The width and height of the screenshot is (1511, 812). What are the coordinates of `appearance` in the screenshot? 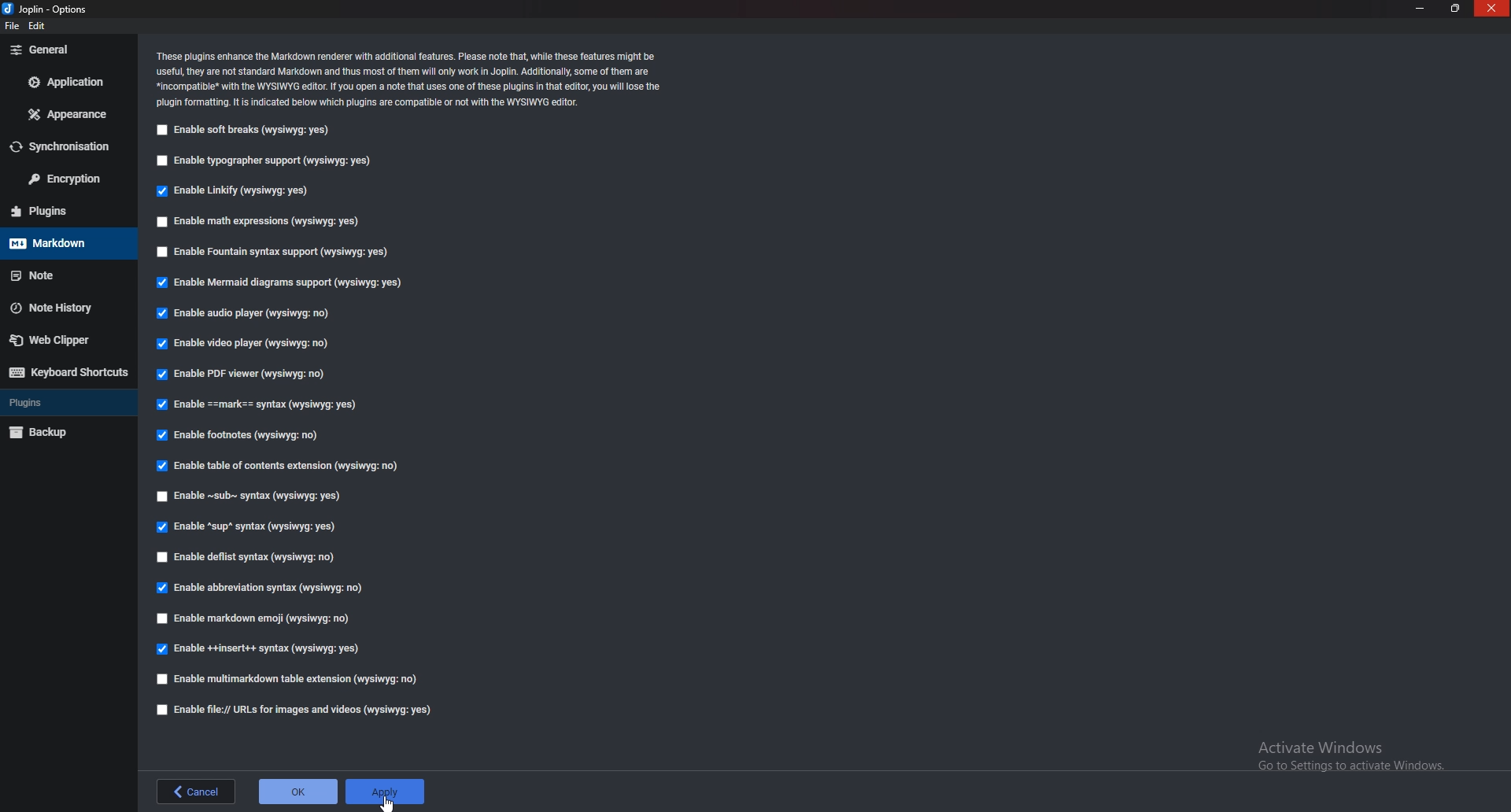 It's located at (71, 113).